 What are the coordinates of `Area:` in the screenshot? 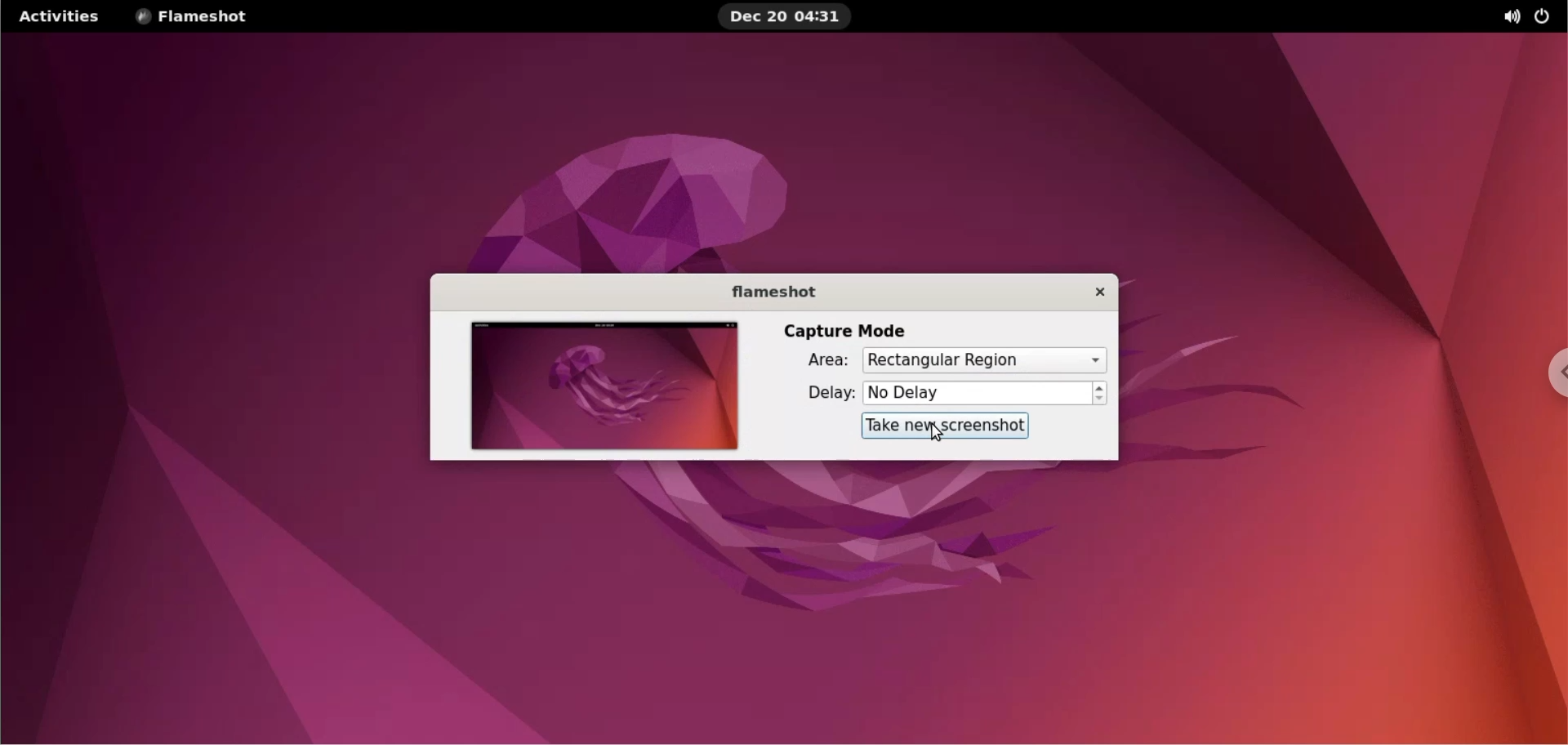 It's located at (827, 364).